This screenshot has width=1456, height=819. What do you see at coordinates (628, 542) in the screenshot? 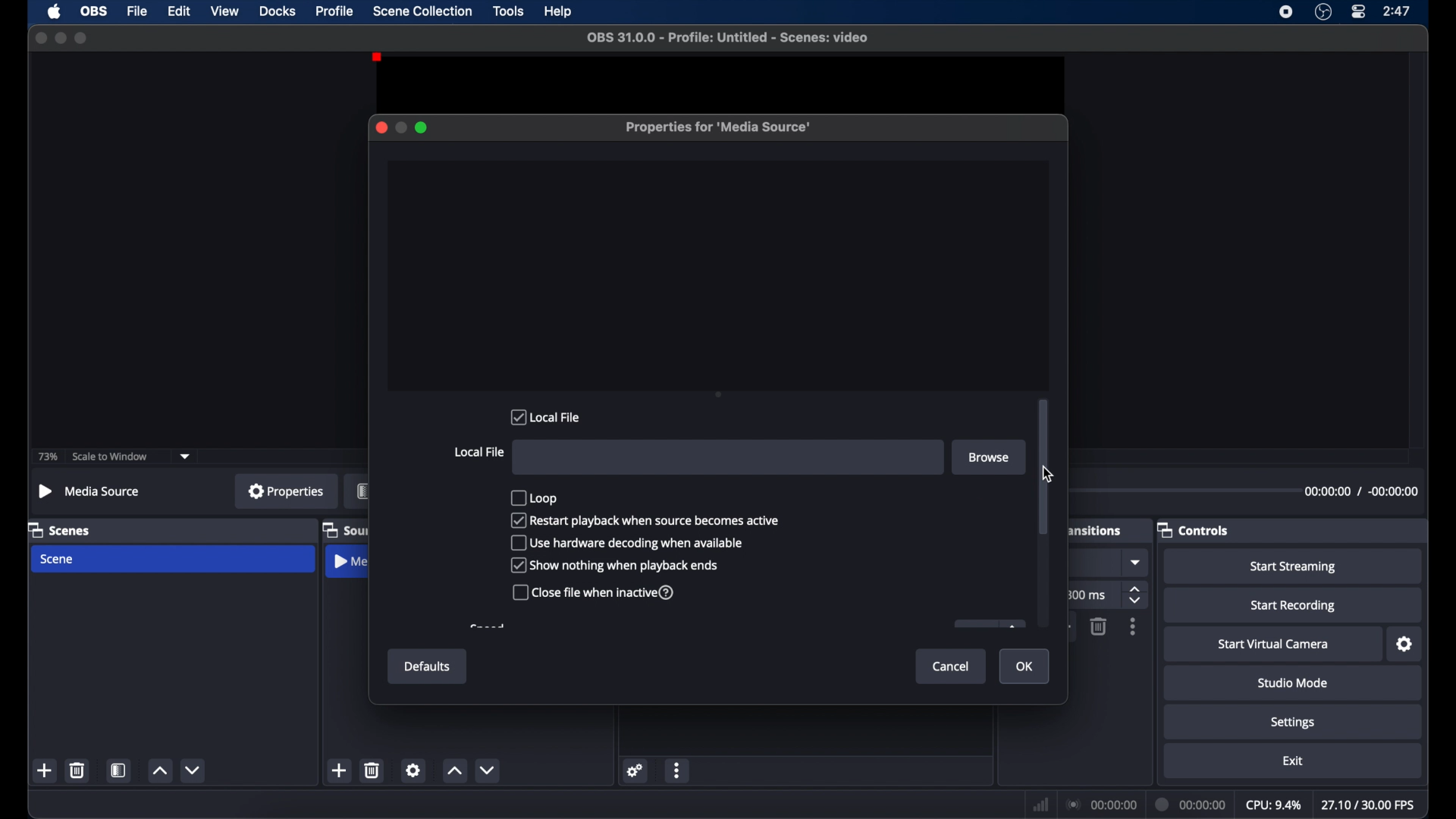
I see `checkbox` at bounding box center [628, 542].